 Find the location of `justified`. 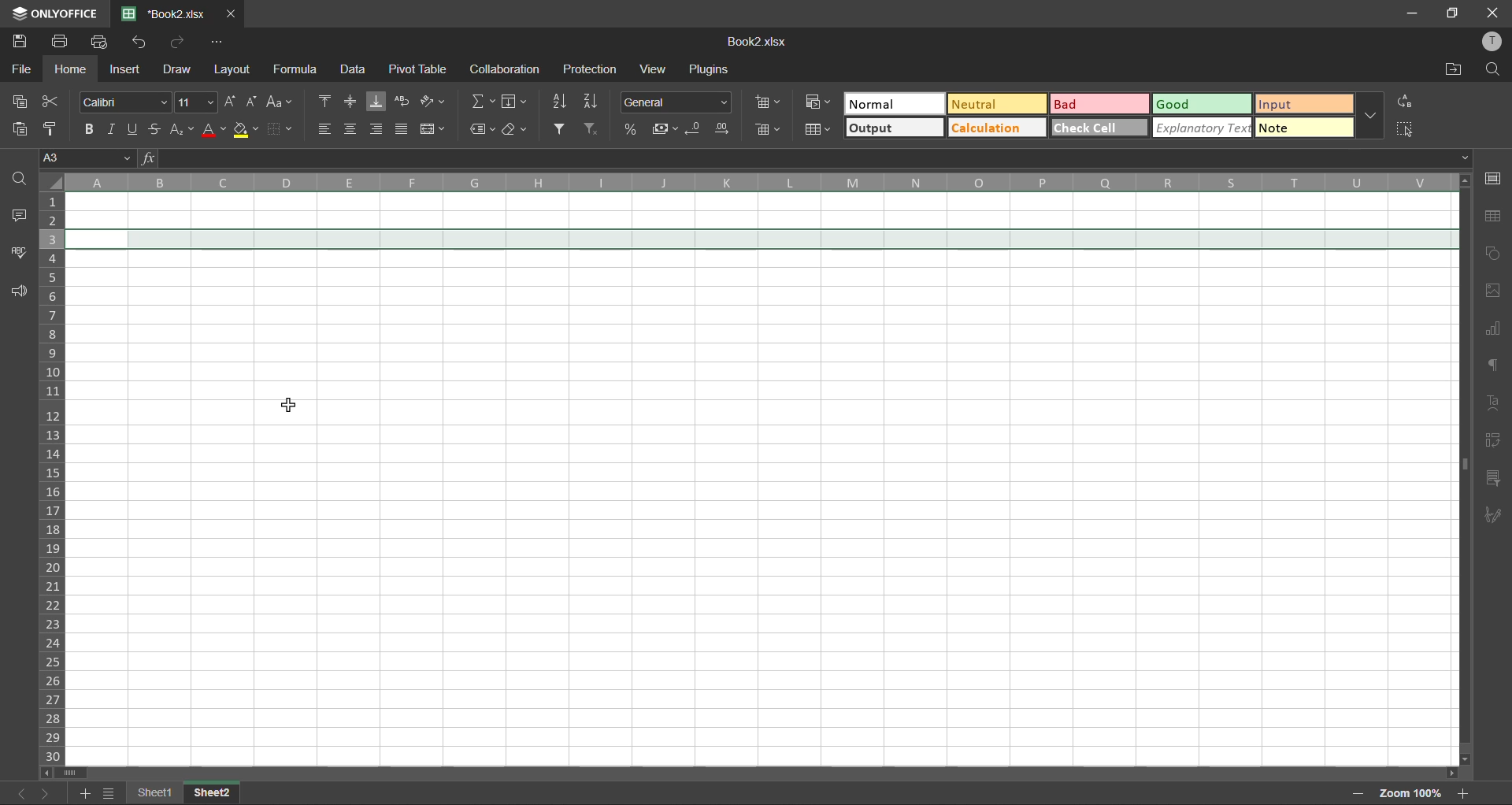

justified is located at coordinates (404, 129).